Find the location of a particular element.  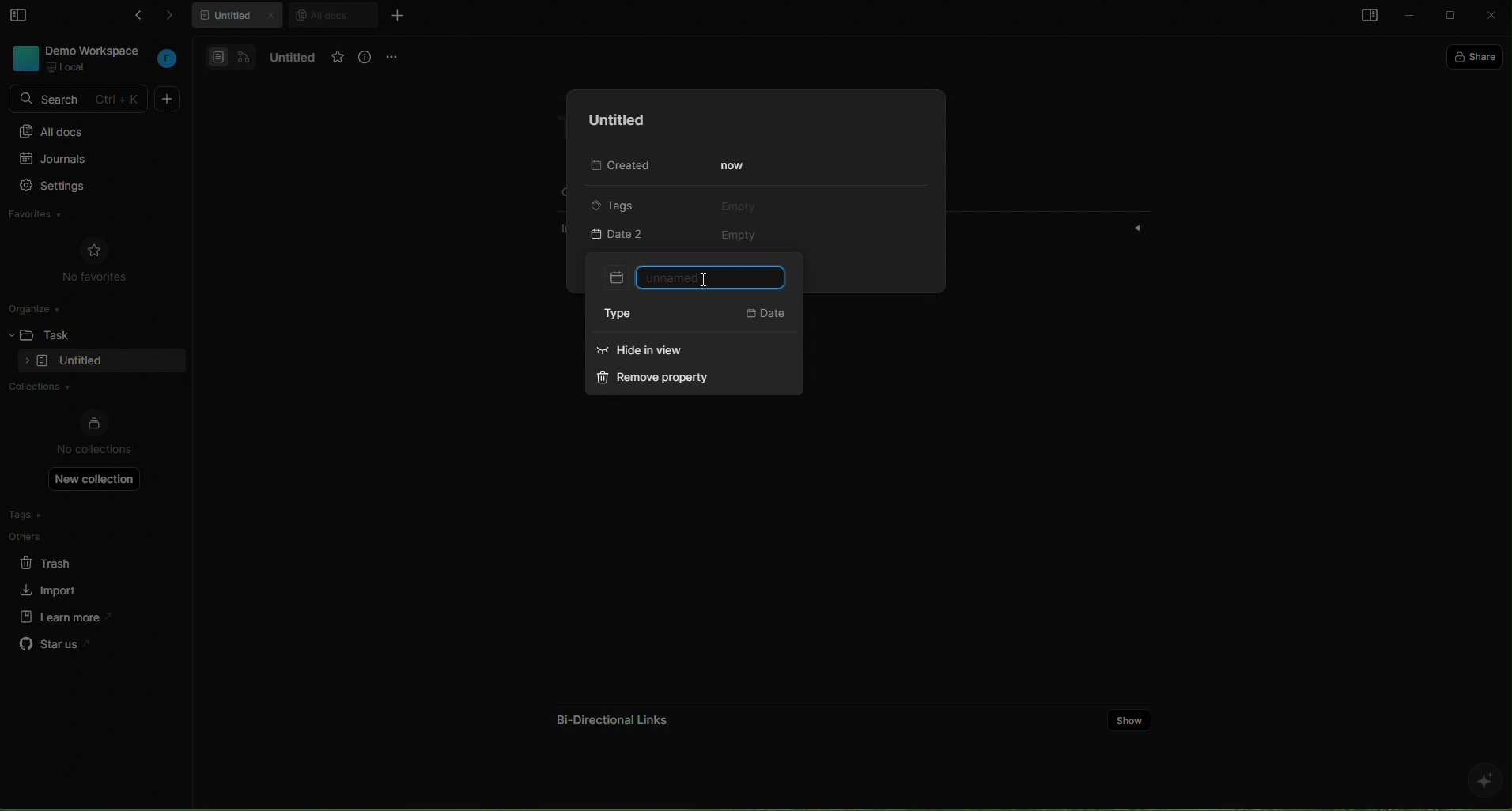

go back is located at coordinates (134, 18).